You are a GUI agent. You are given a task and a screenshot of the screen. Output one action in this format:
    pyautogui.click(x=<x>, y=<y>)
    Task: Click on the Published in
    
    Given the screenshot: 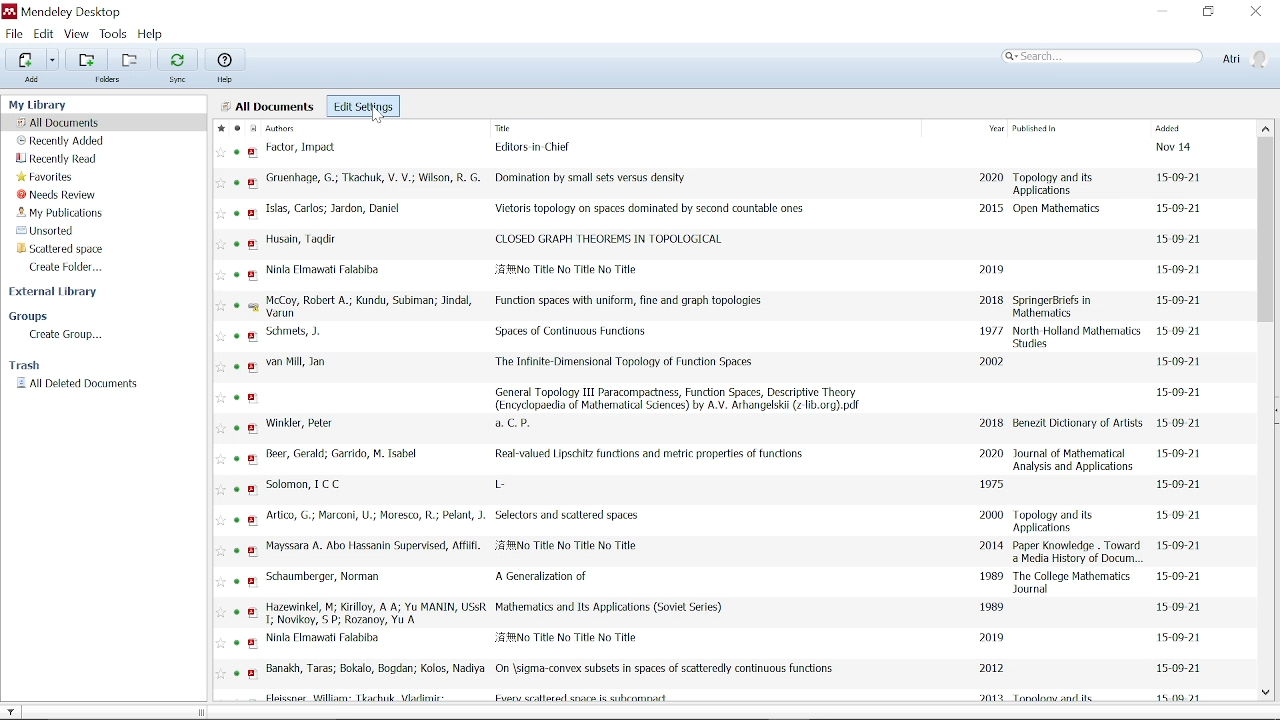 What is the action you would take?
    pyautogui.click(x=1033, y=128)
    